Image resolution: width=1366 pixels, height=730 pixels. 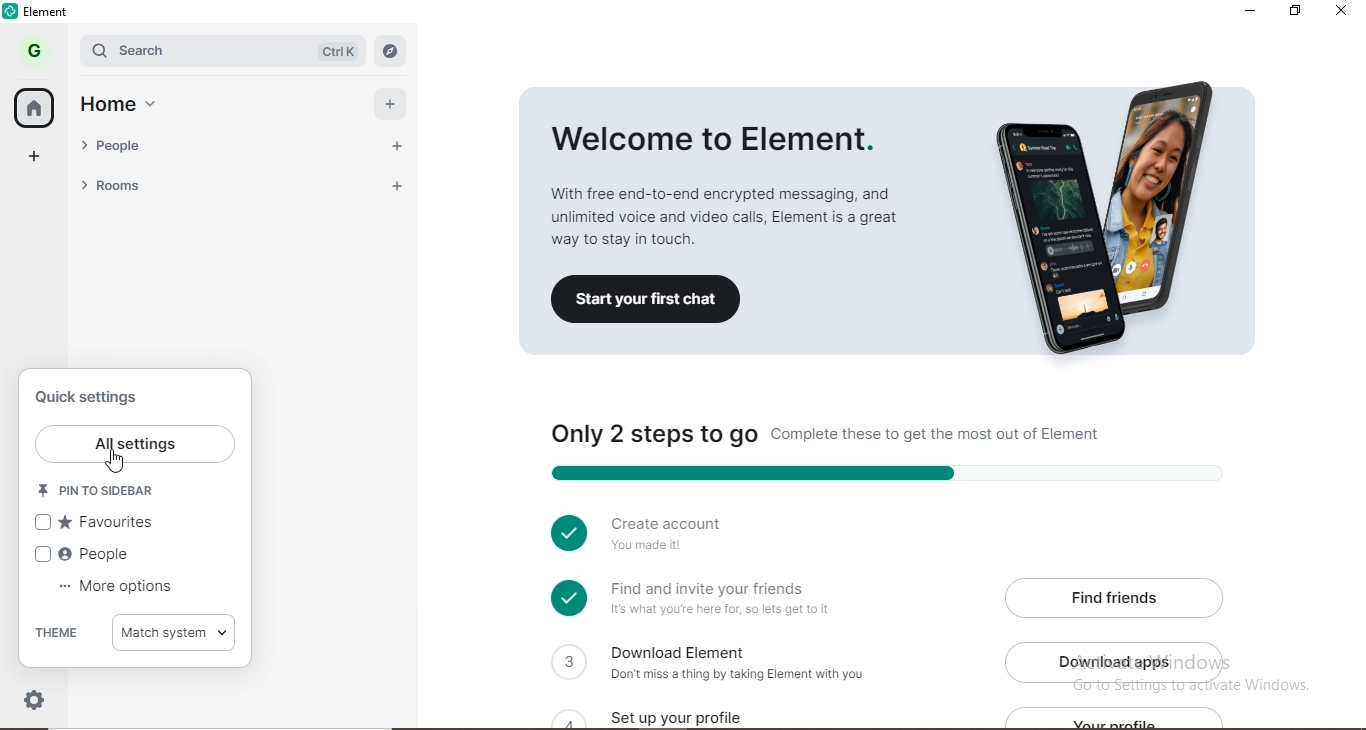 I want to click on Rooms, so click(x=165, y=186).